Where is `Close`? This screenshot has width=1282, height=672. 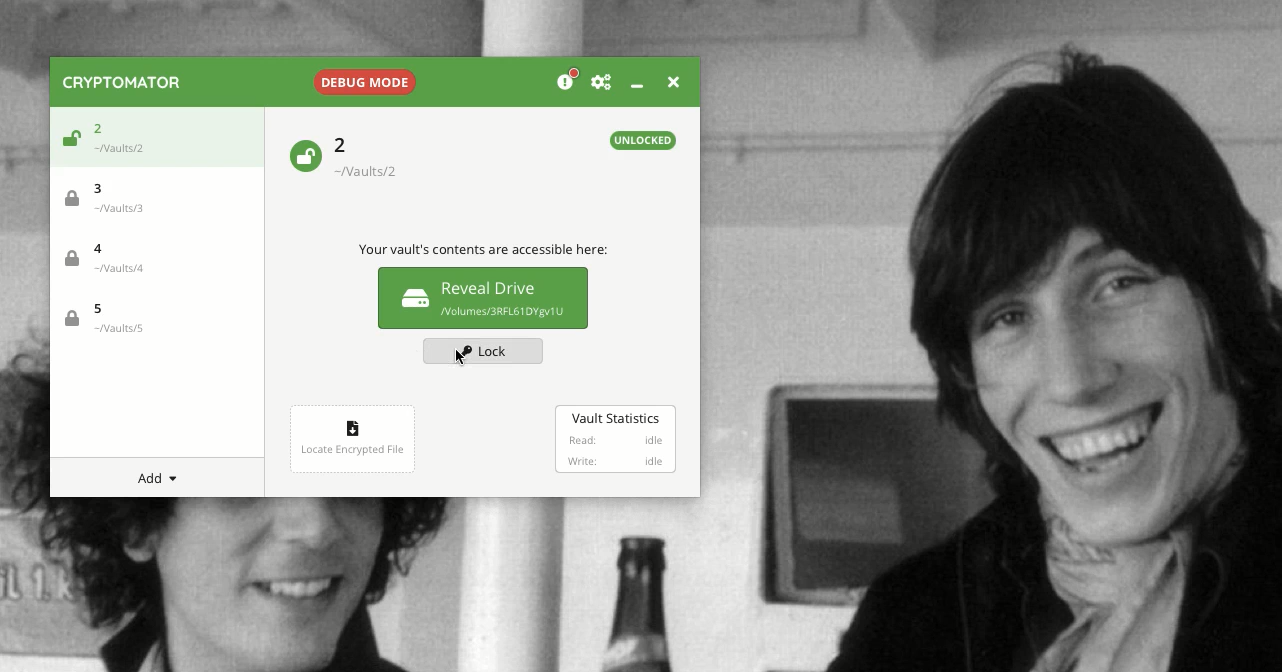 Close is located at coordinates (671, 80).